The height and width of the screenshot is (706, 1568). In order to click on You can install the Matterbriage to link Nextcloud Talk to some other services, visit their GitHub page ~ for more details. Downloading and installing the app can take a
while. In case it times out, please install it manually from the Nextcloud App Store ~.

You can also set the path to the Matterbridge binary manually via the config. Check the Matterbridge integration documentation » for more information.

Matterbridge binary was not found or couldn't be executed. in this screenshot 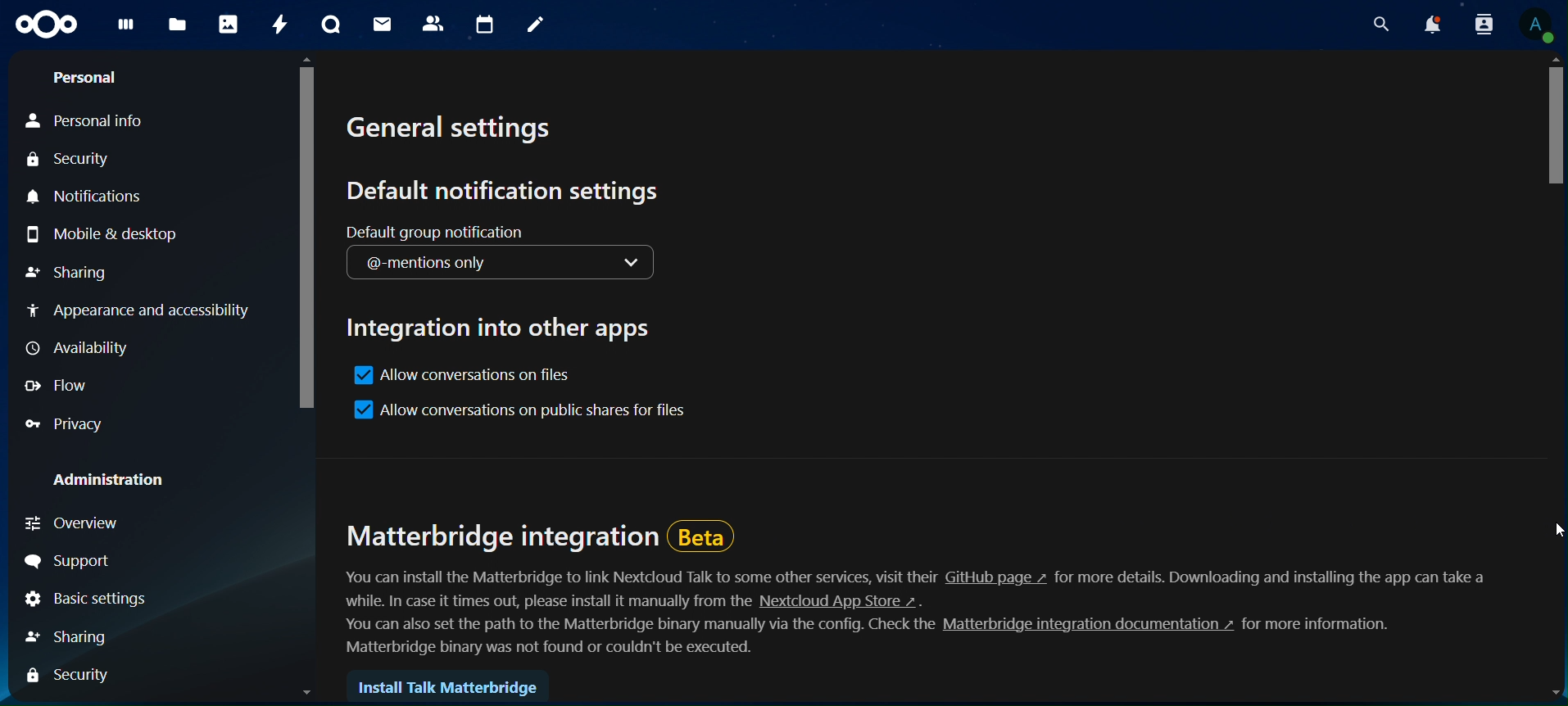, I will do `click(922, 616)`.